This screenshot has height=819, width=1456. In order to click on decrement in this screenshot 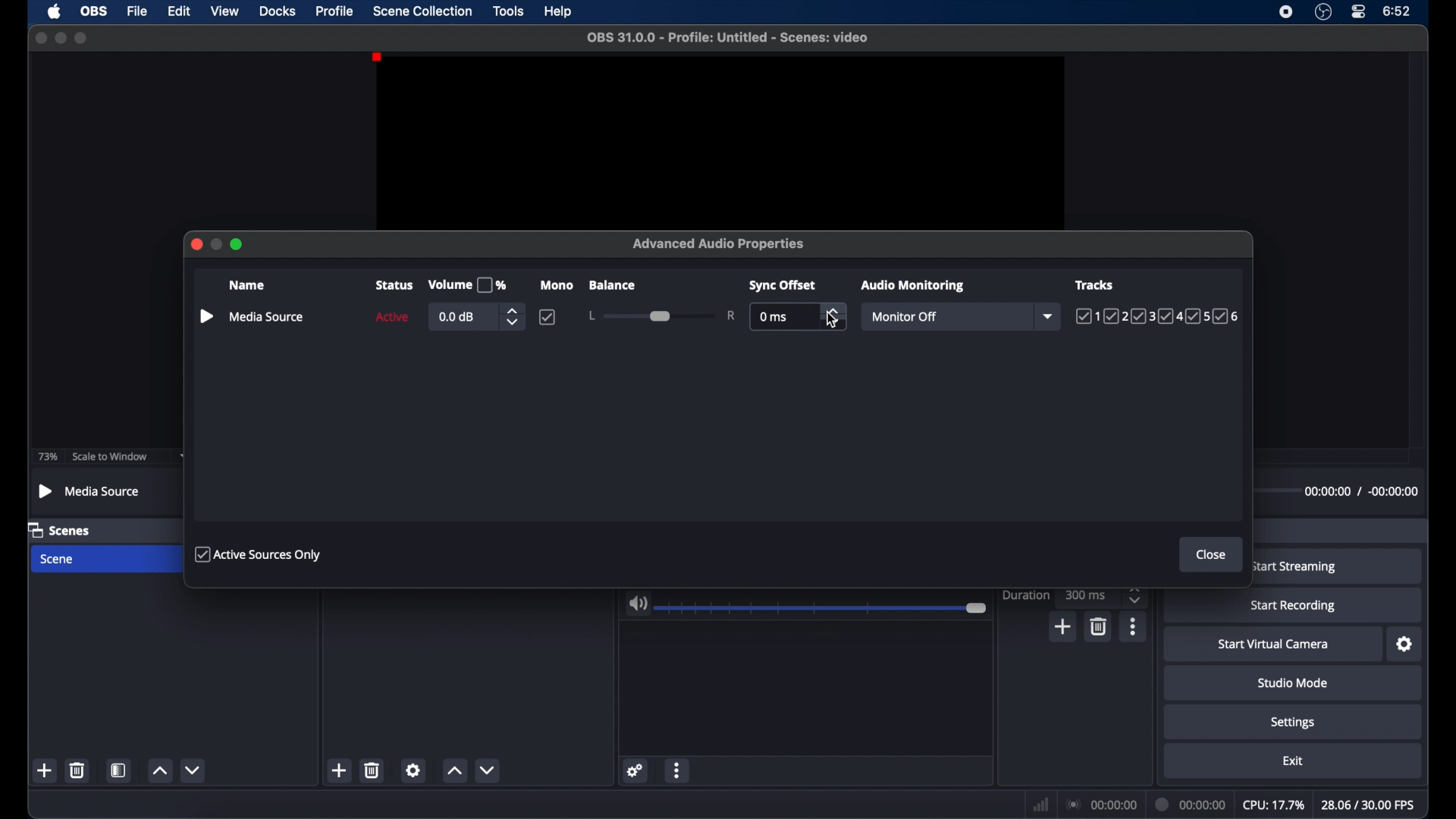, I will do `click(193, 770)`.